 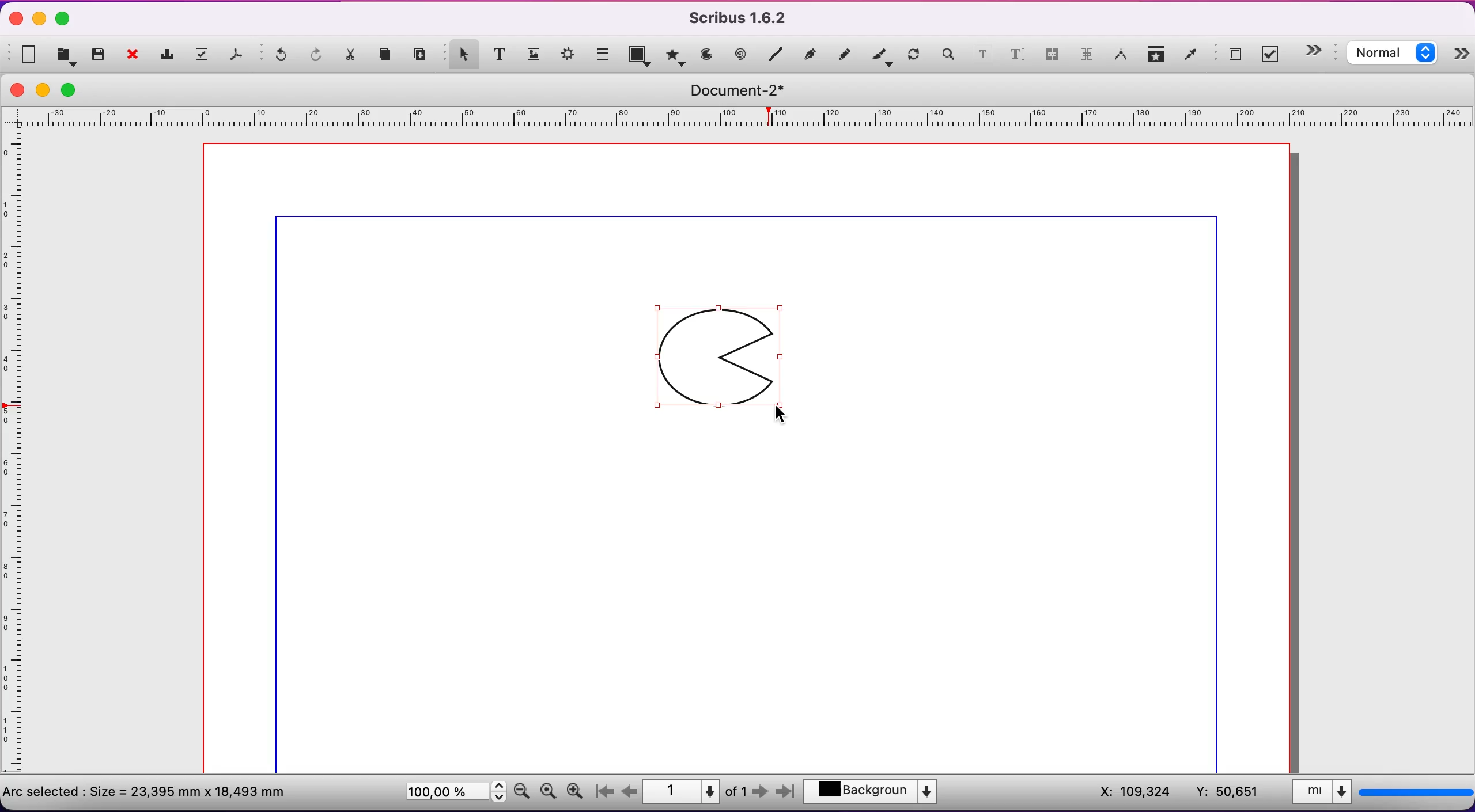 I want to click on maximize, so click(x=63, y=20).